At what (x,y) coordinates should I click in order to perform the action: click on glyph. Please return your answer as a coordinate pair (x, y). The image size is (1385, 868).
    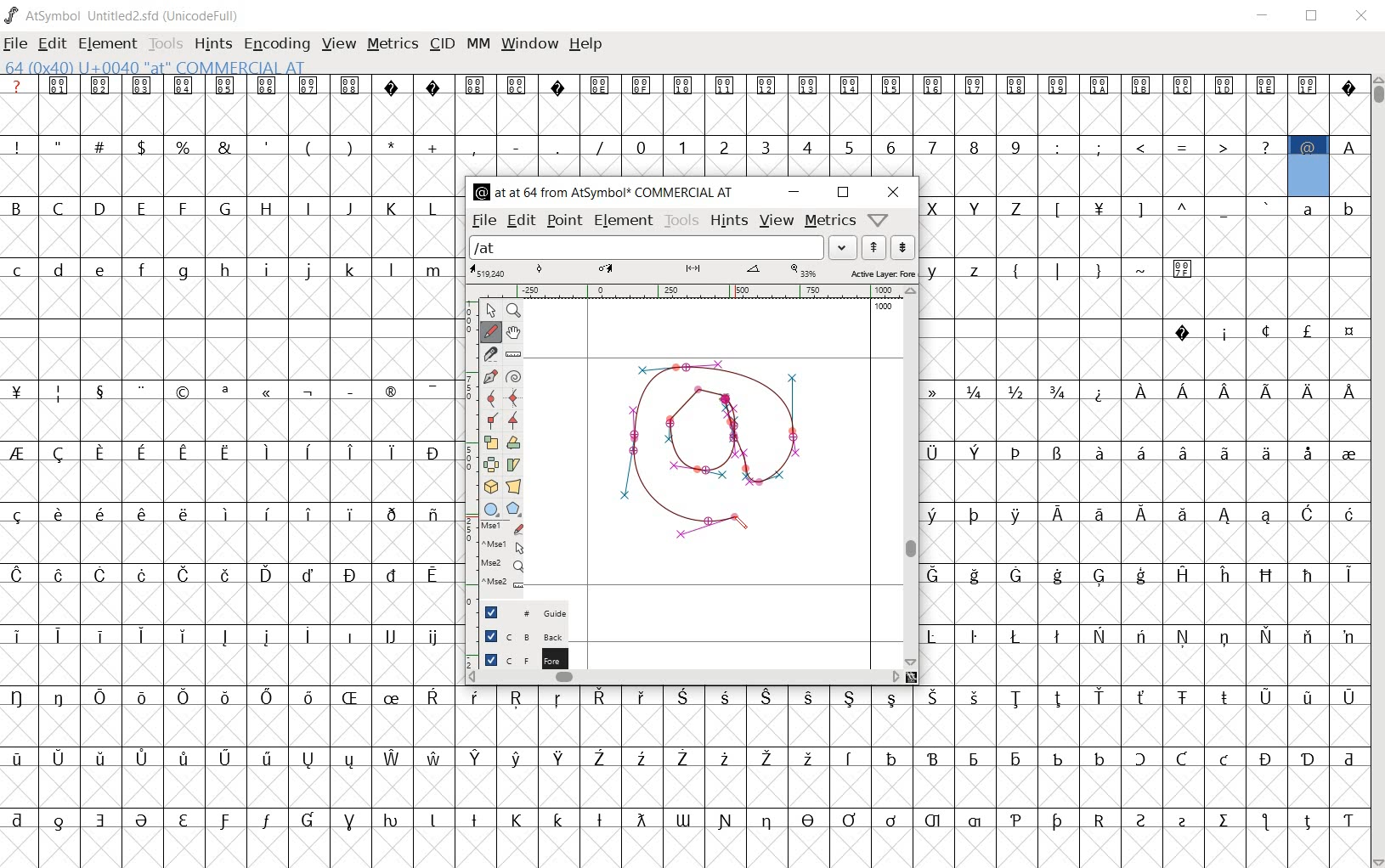
    Looking at the image, I should click on (1145, 469).